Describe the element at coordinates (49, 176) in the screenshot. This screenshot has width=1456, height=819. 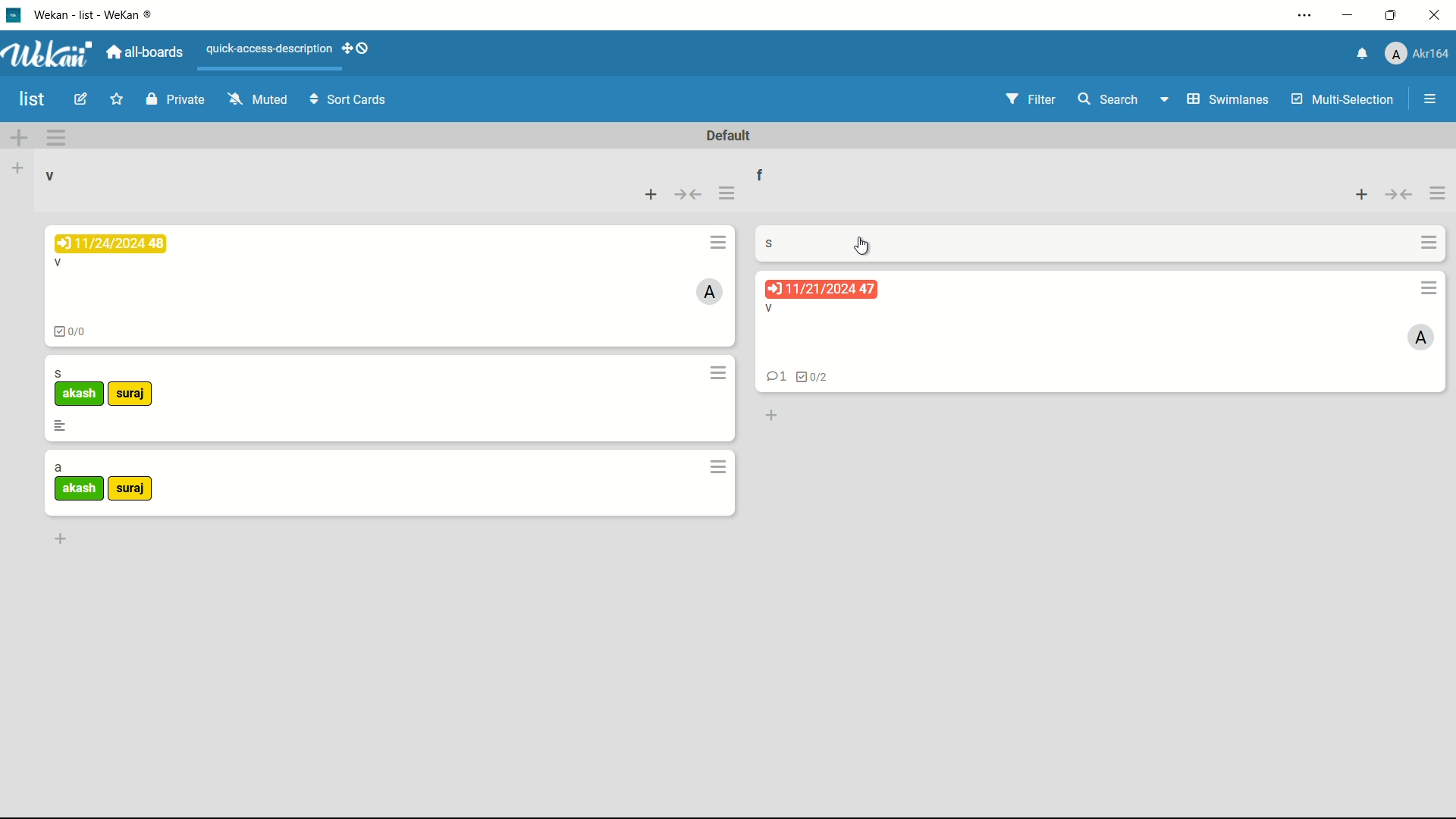
I see `list name` at that location.